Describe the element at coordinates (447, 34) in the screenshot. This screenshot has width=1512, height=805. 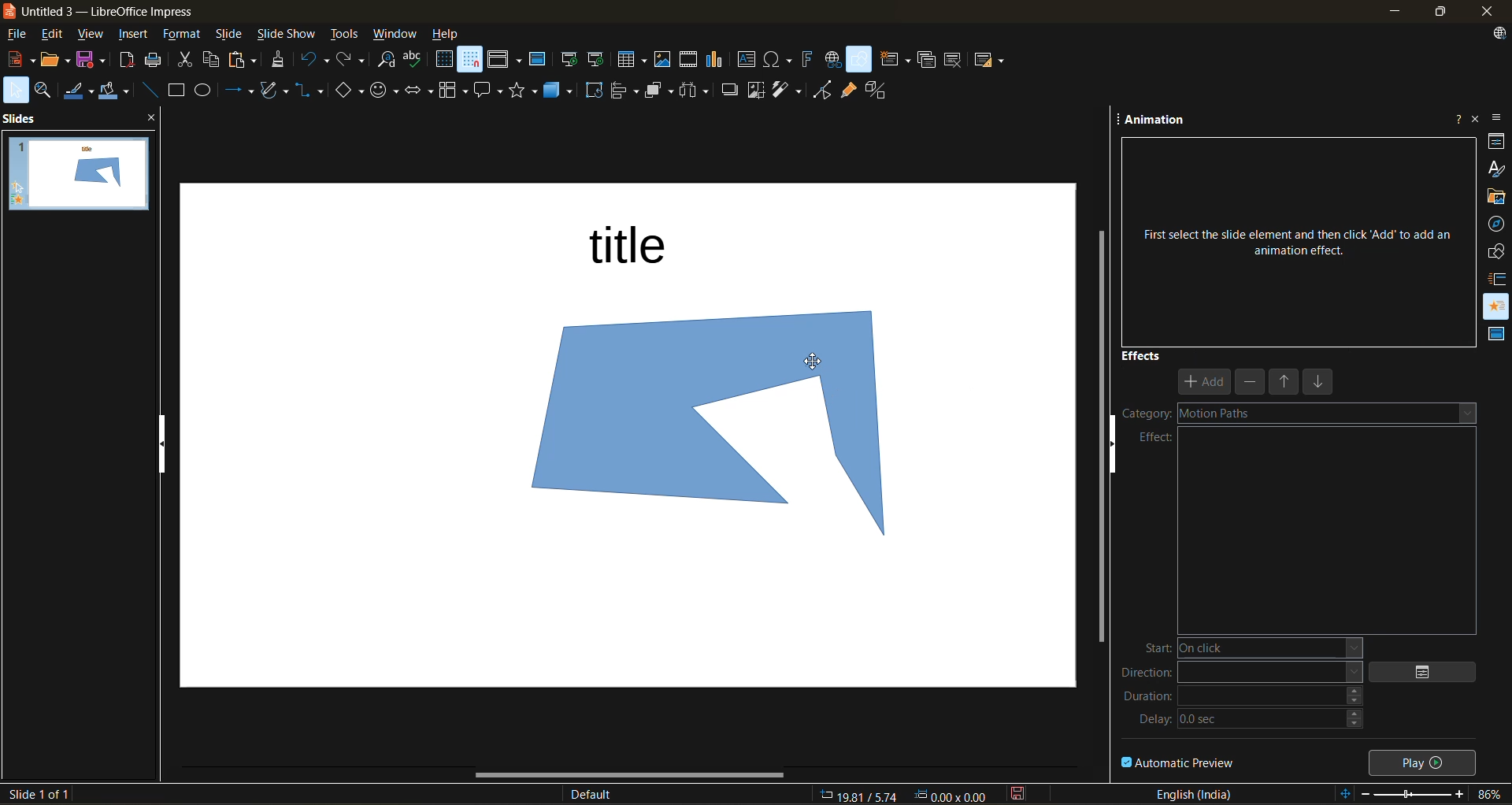
I see `help` at that location.